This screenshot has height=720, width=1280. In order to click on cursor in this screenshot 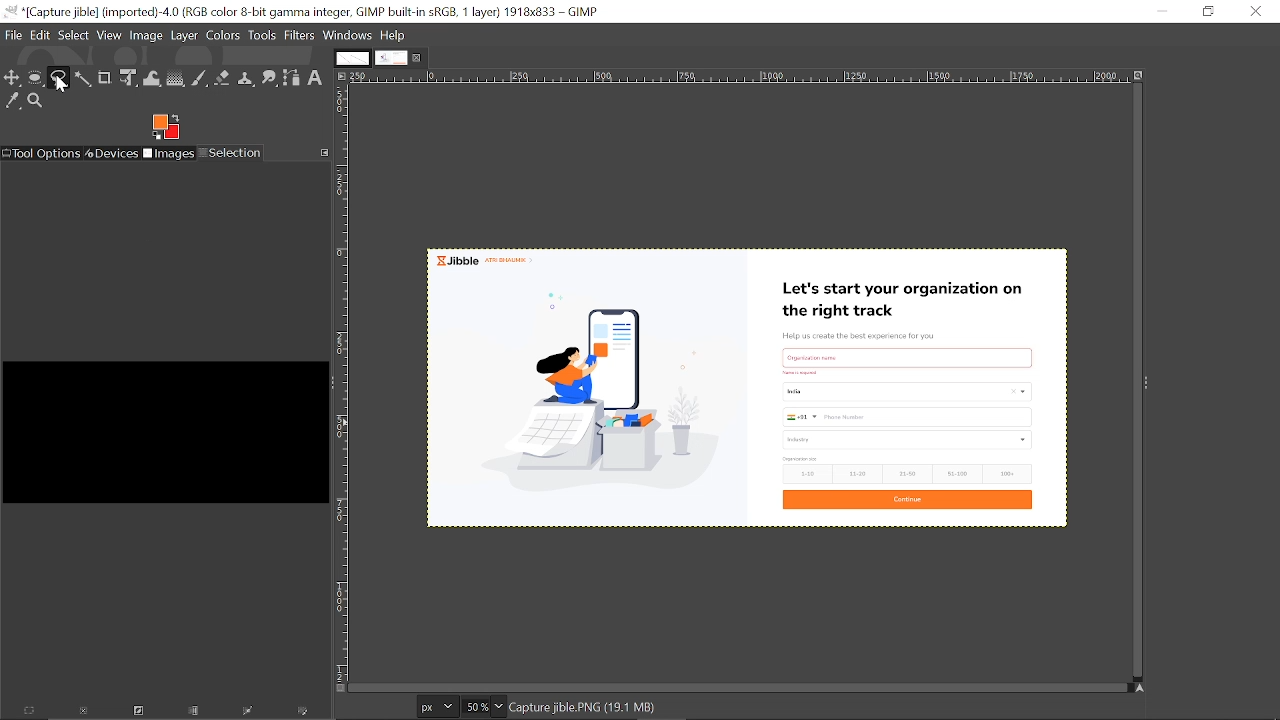, I will do `click(64, 91)`.